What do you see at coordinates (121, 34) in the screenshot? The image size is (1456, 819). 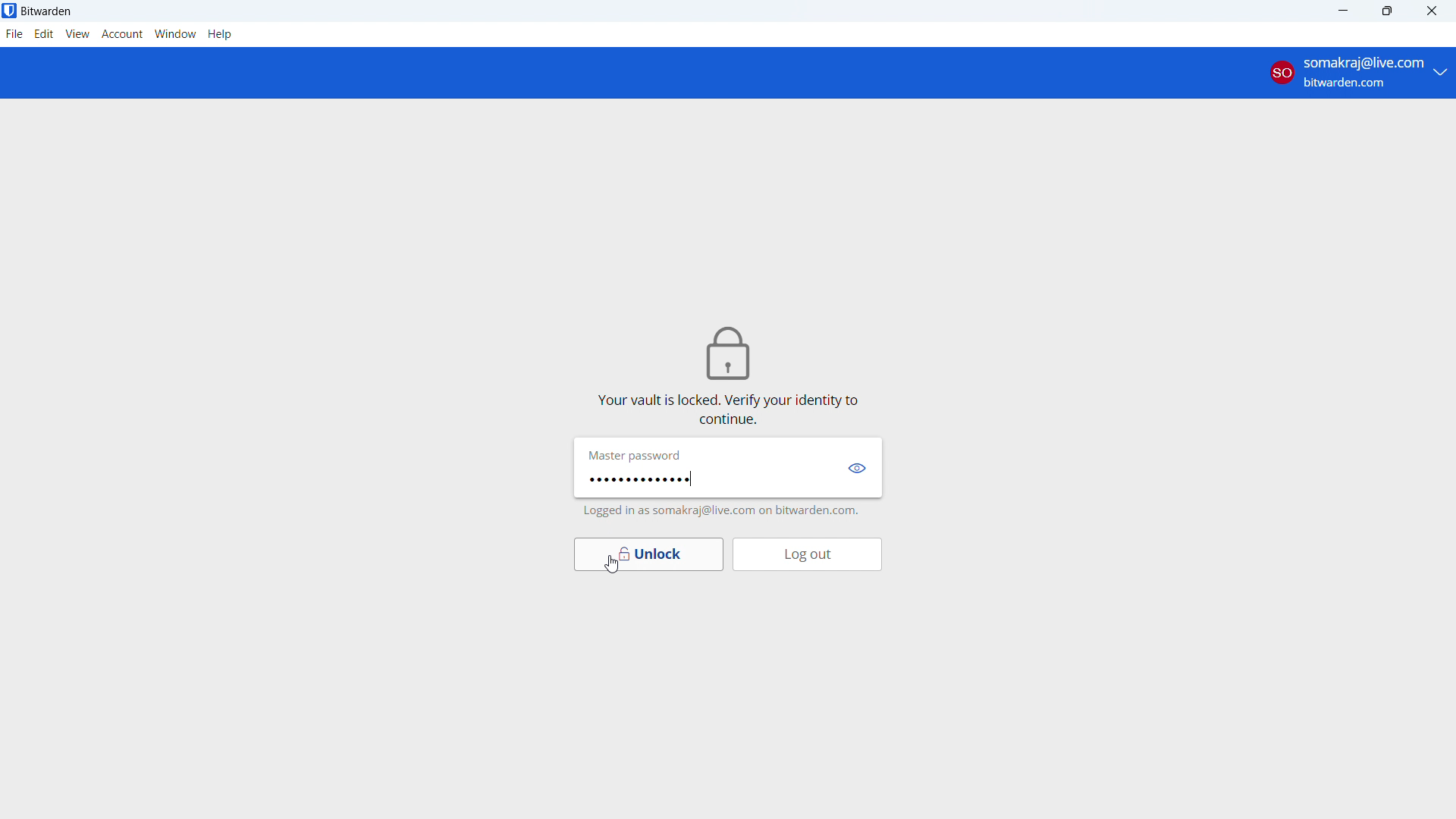 I see `account` at bounding box center [121, 34].